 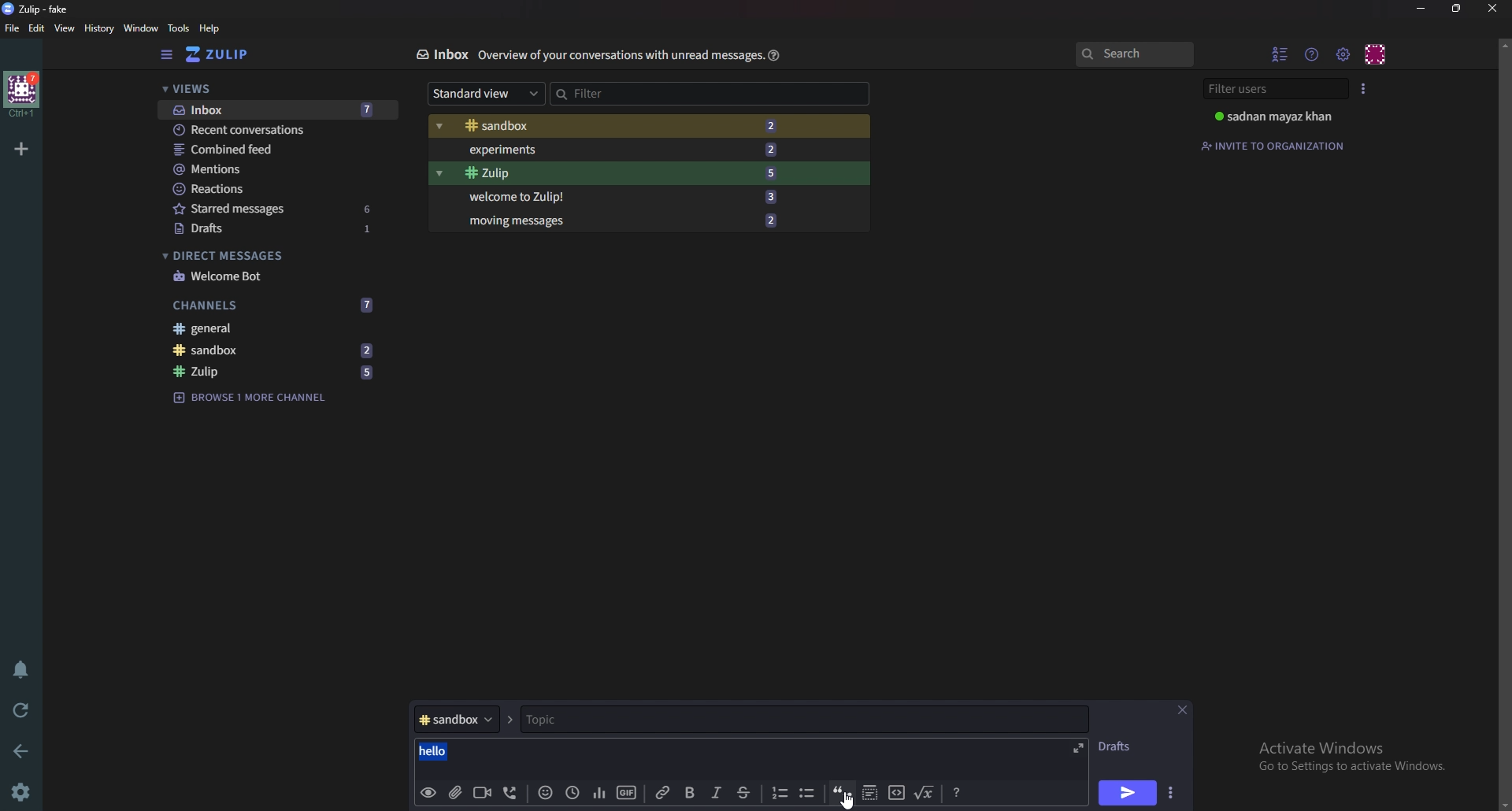 I want to click on Voice call, so click(x=510, y=791).